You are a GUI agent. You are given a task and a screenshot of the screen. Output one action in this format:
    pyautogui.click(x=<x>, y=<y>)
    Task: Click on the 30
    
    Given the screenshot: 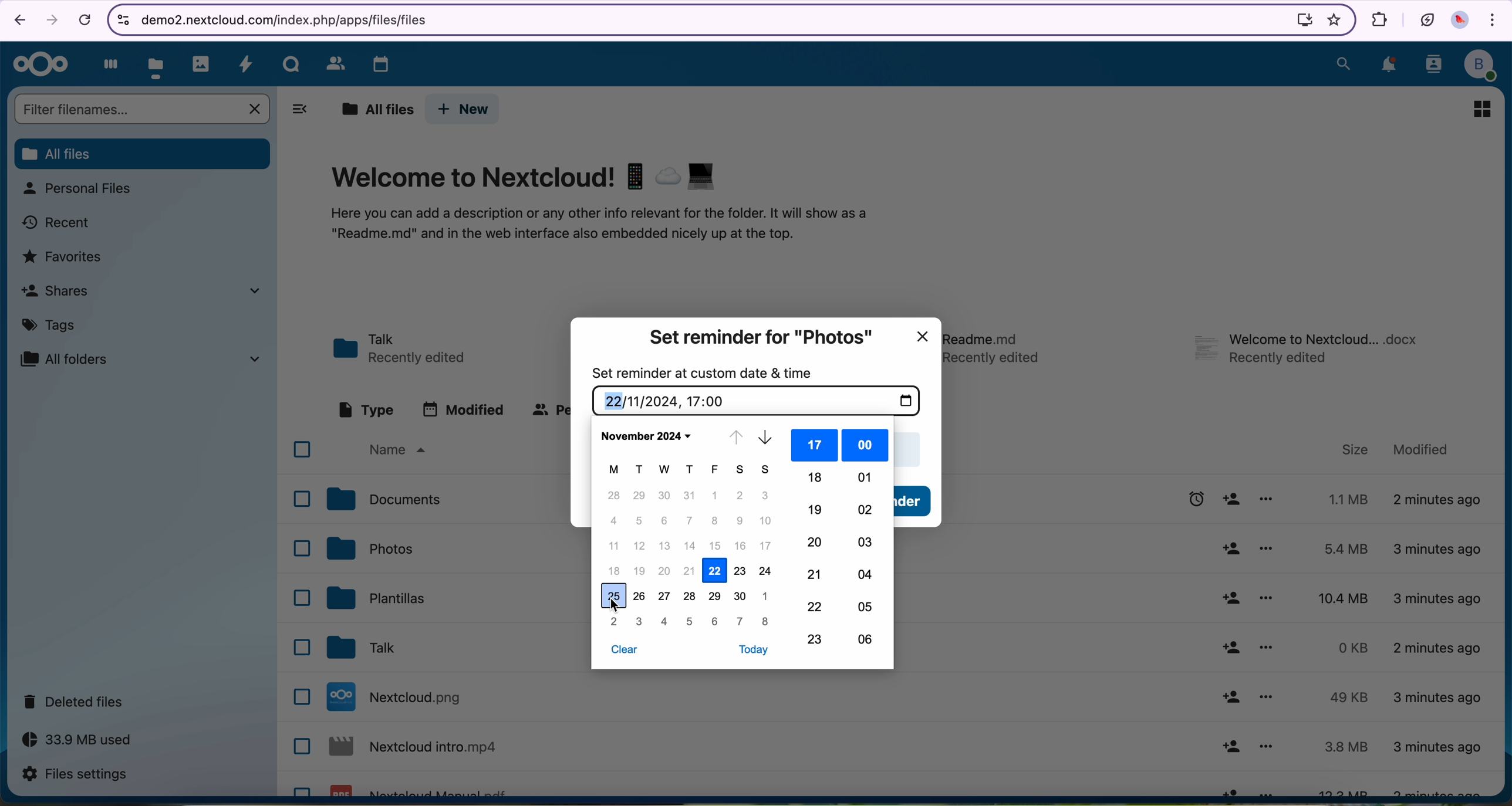 What is the action you would take?
    pyautogui.click(x=666, y=495)
    